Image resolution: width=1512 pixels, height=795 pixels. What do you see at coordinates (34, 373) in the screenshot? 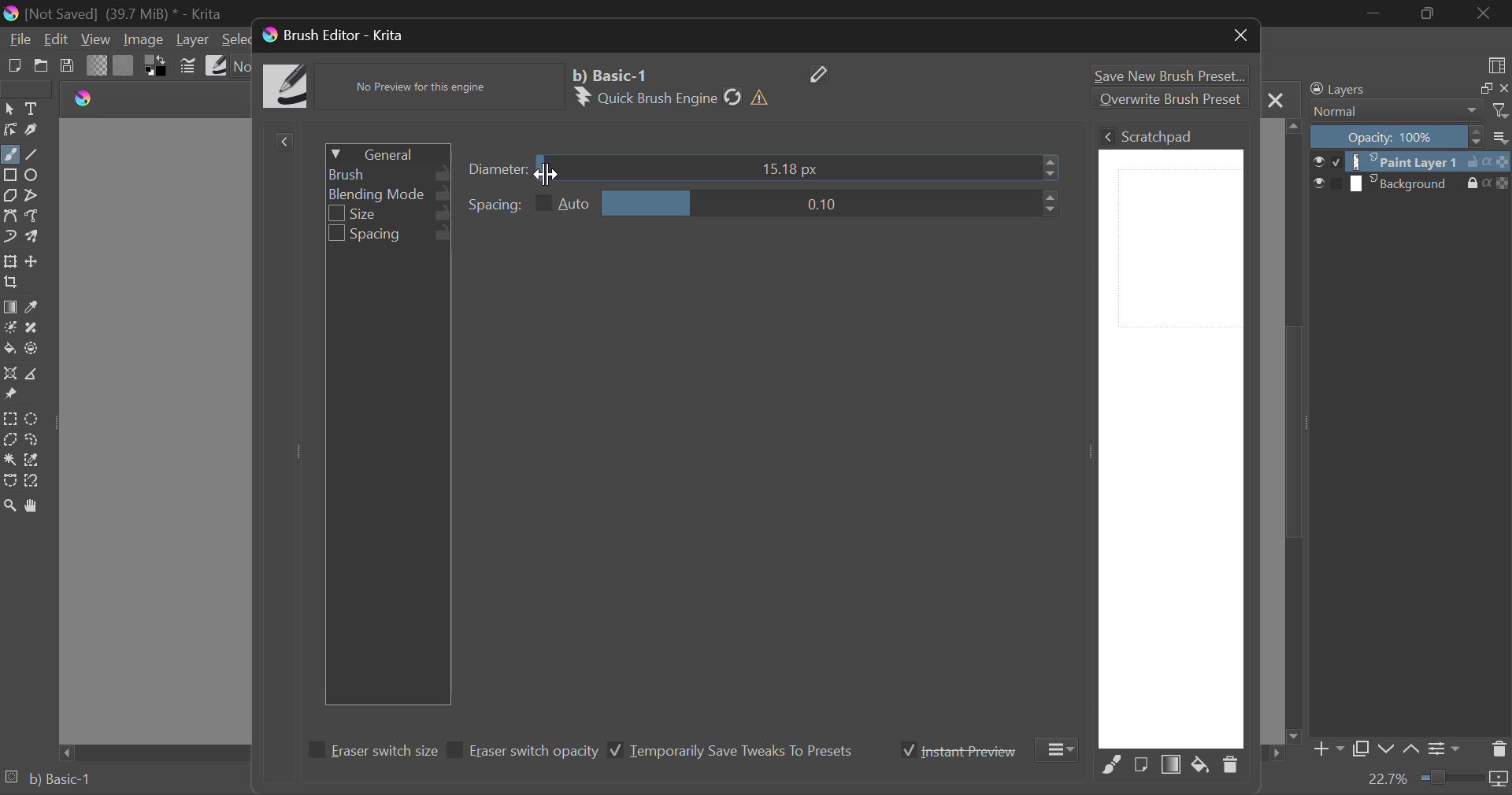
I see `Measurement` at bounding box center [34, 373].